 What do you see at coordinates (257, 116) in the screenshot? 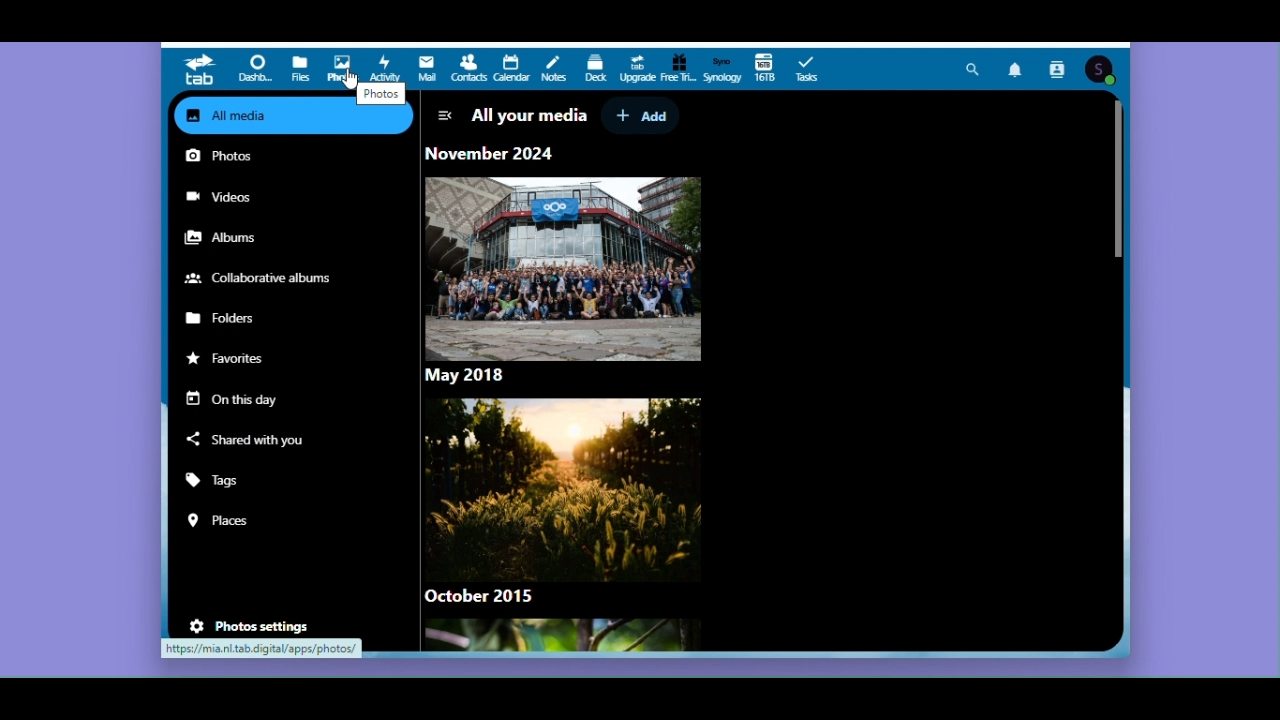
I see `All media` at bounding box center [257, 116].